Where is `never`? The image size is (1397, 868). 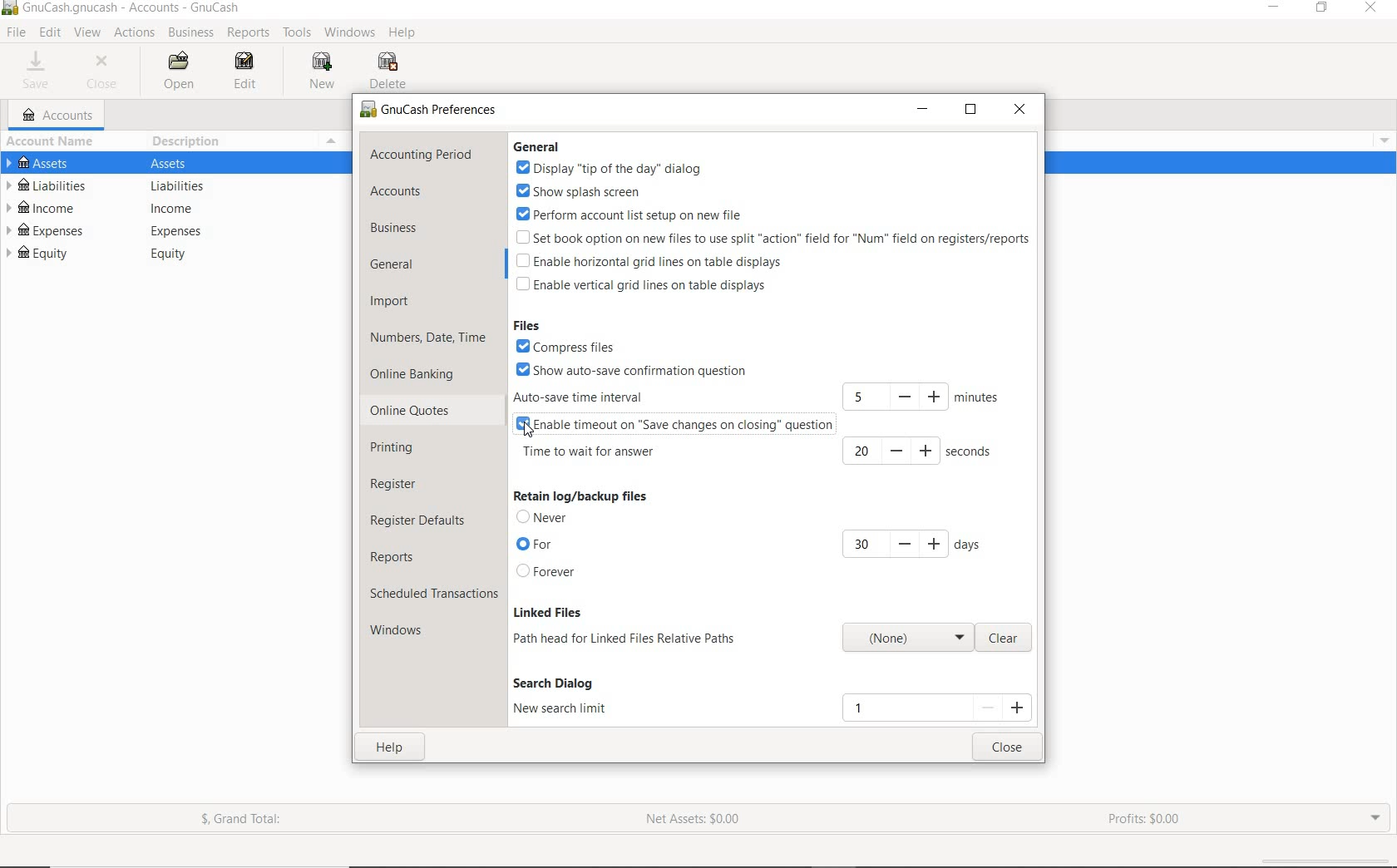
never is located at coordinates (546, 519).